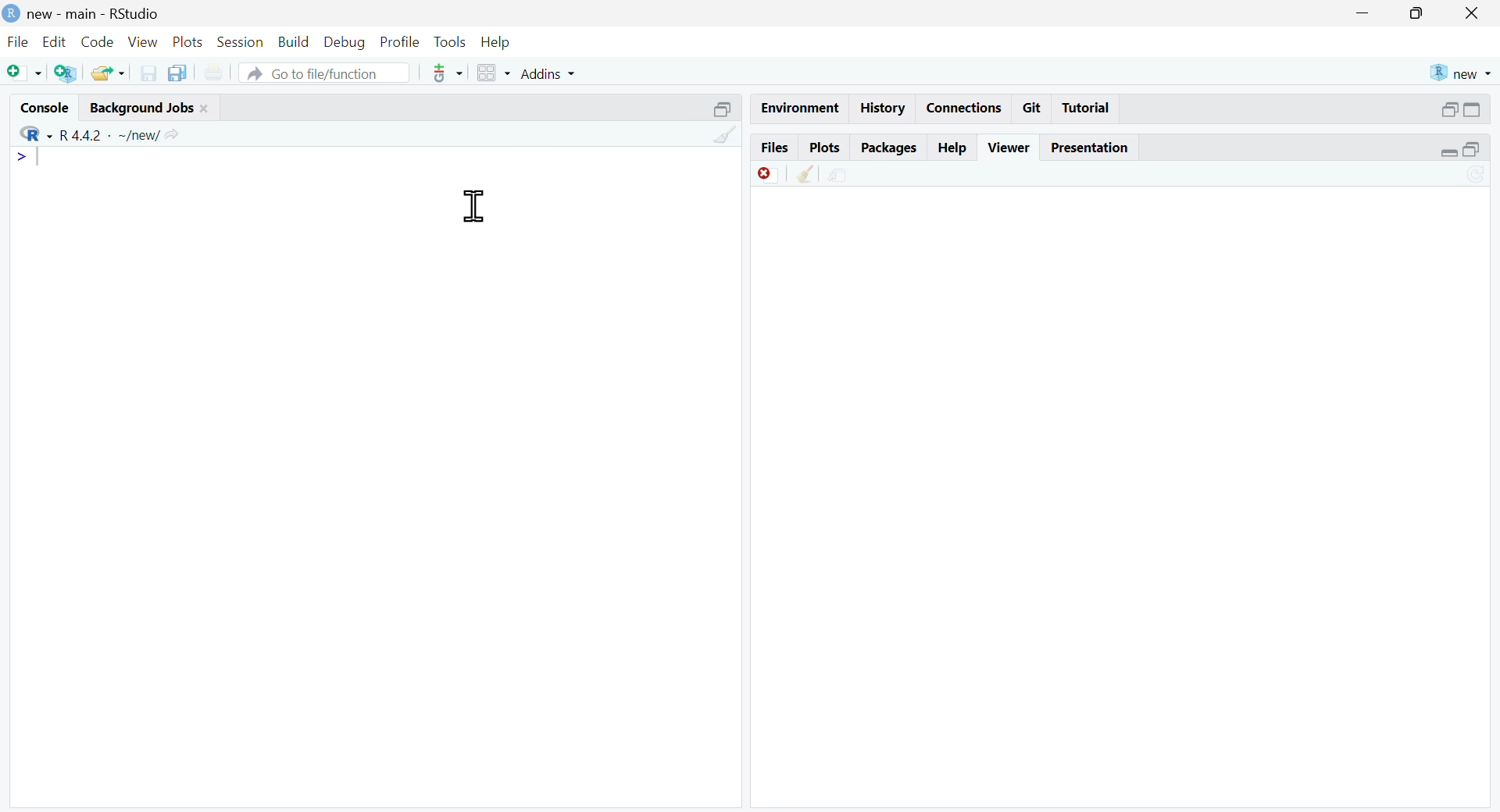  Describe the element at coordinates (961, 108) in the screenshot. I see `connections` at that location.